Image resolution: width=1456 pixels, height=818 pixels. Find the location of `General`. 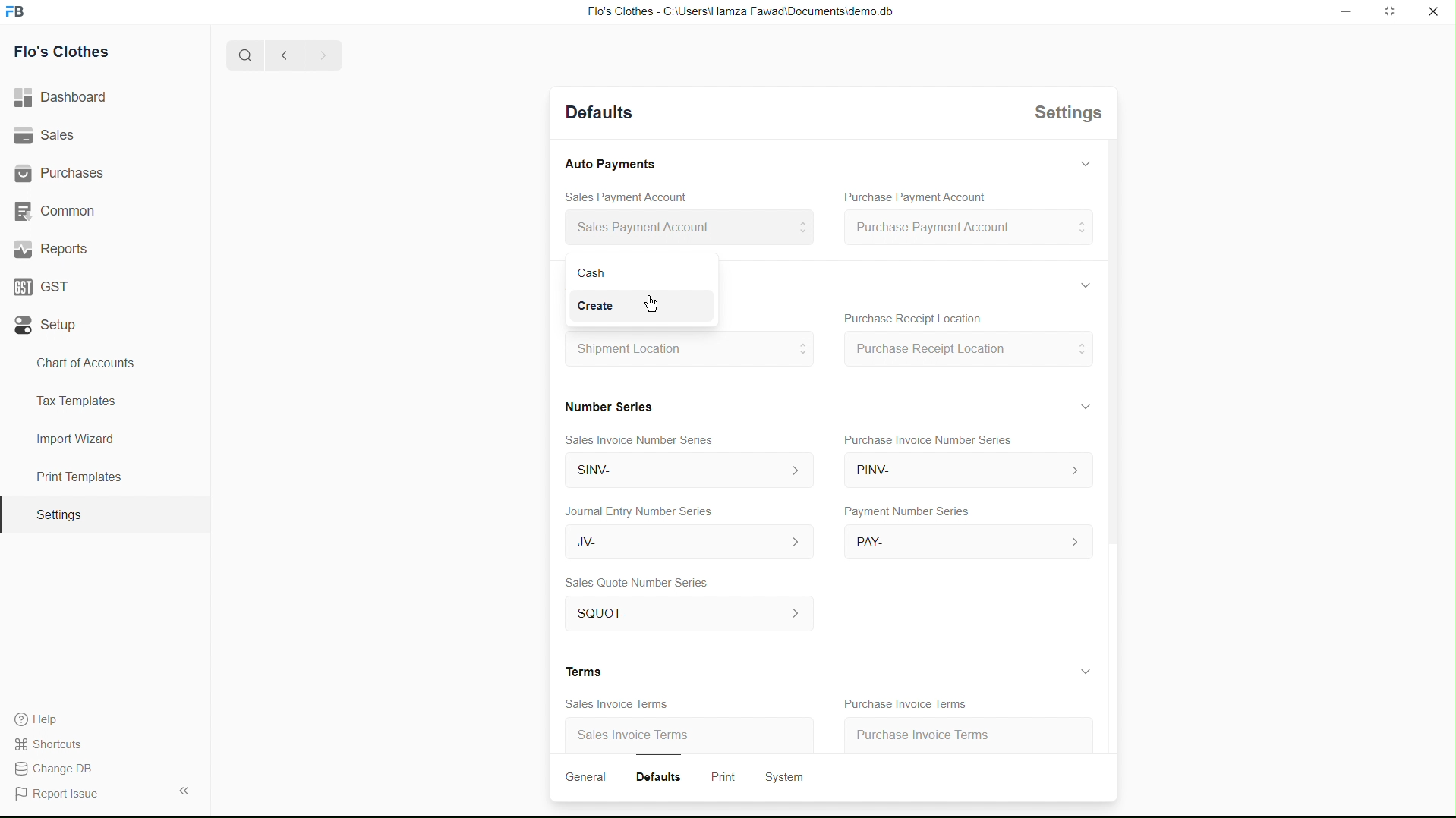

General is located at coordinates (585, 776).